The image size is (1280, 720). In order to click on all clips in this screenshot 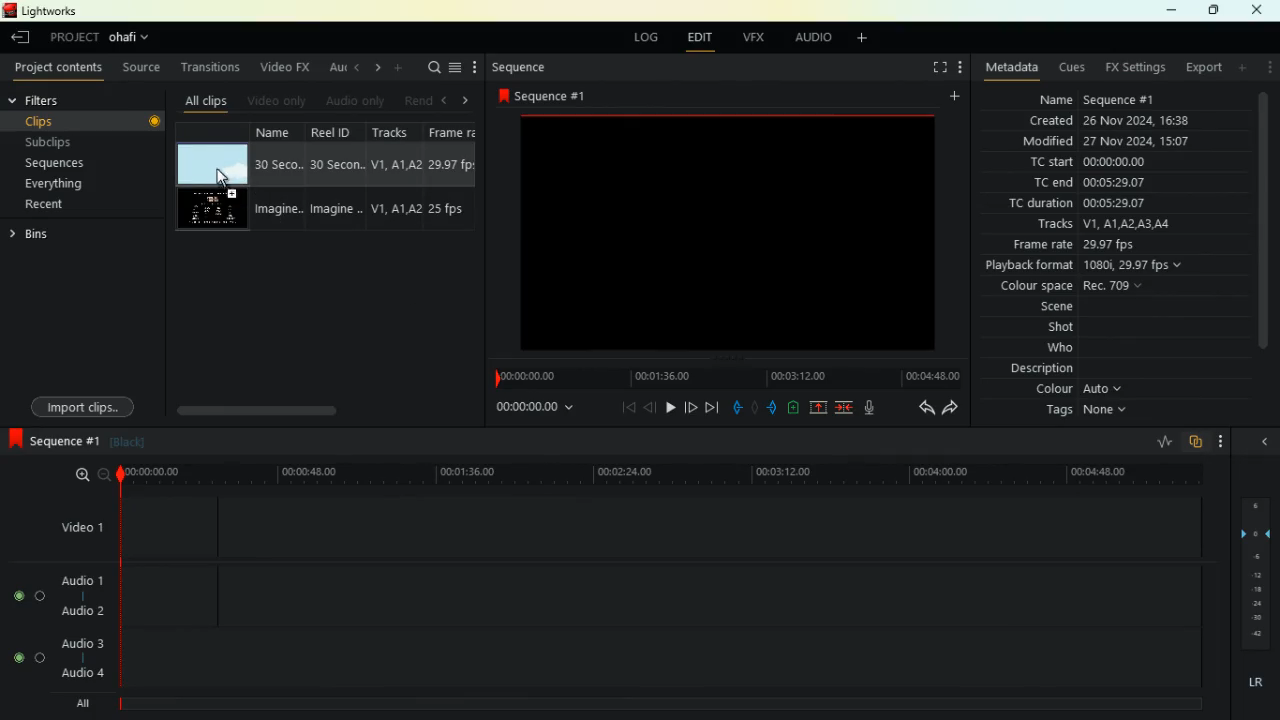, I will do `click(208, 102)`.